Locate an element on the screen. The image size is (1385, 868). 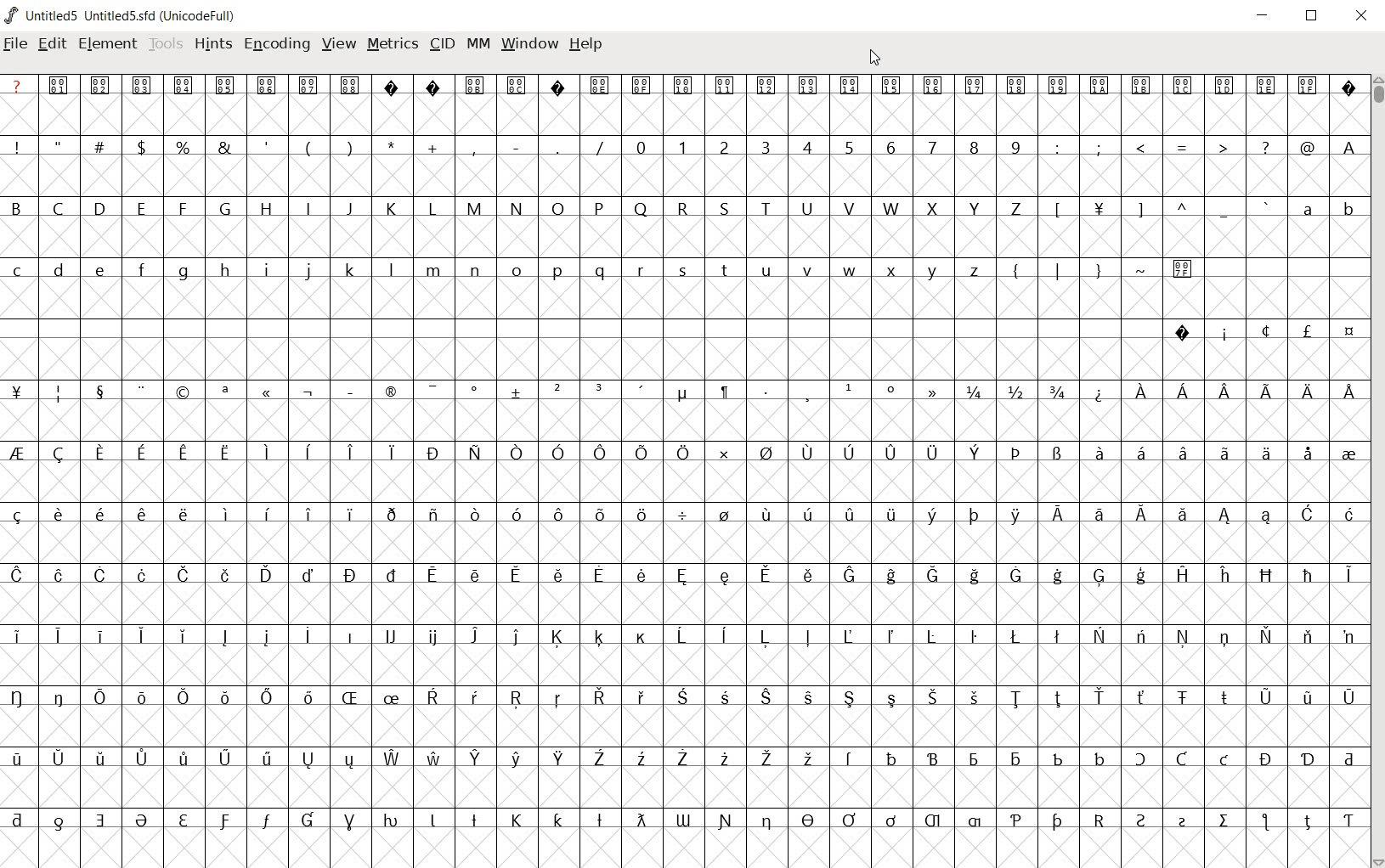
Symbol is located at coordinates (391, 637).